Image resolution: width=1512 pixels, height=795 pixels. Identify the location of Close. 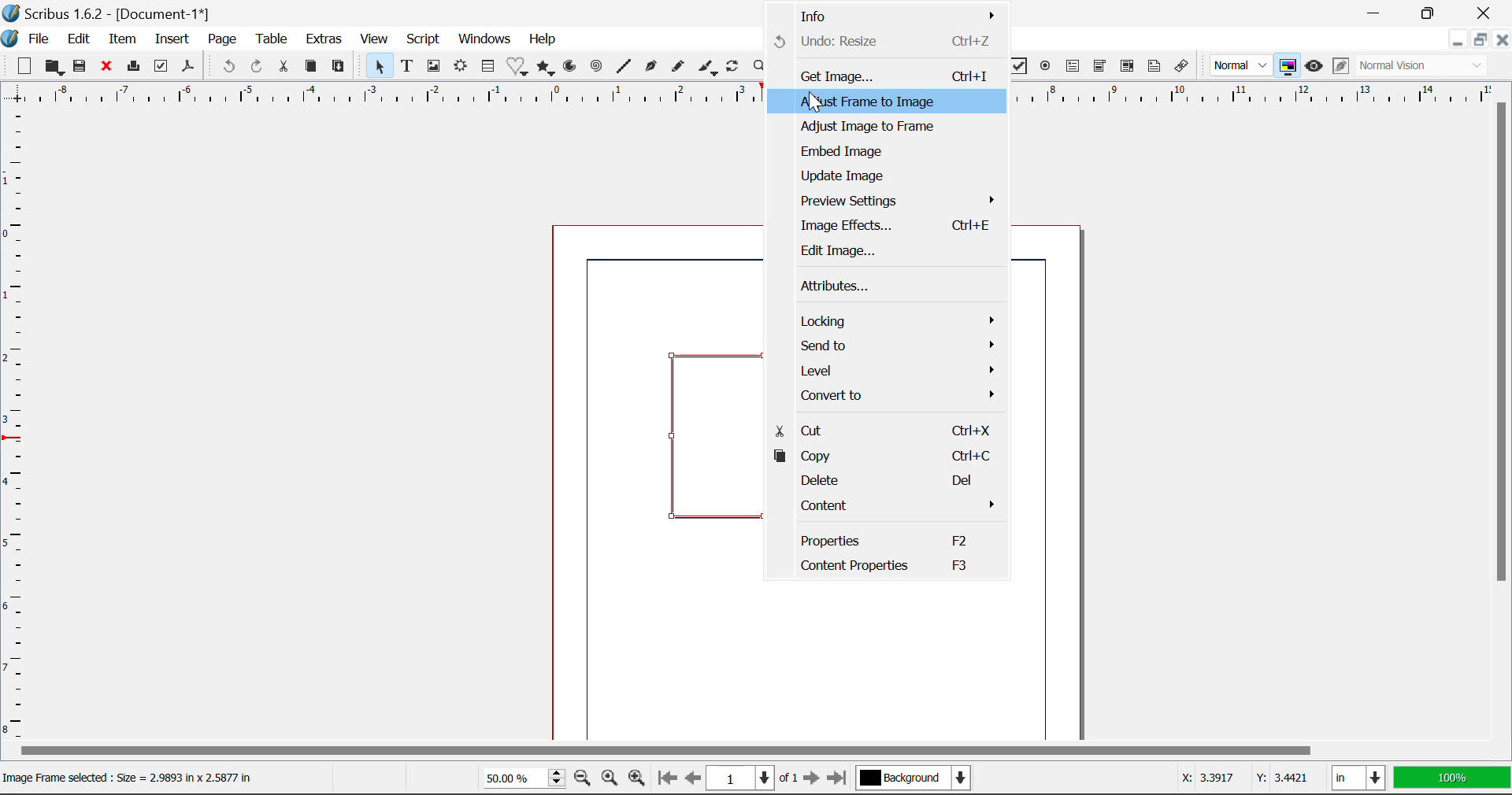
(1484, 13).